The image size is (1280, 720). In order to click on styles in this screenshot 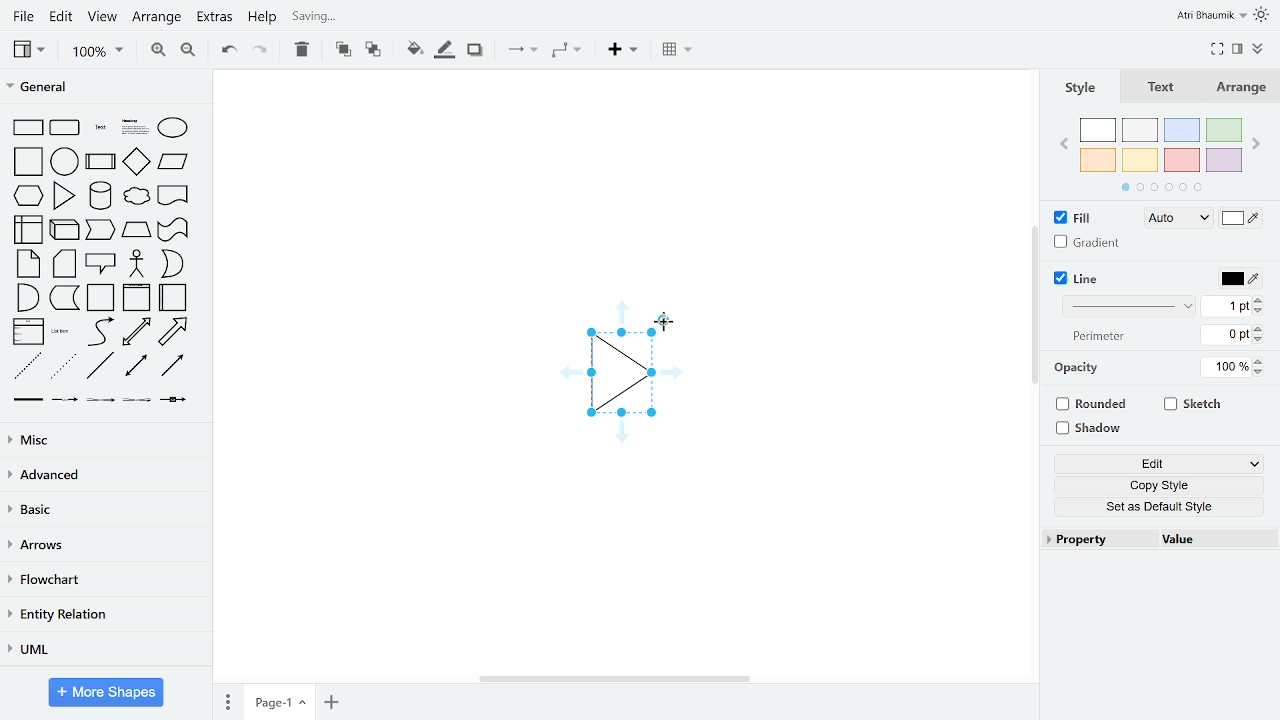, I will do `click(1078, 87)`.